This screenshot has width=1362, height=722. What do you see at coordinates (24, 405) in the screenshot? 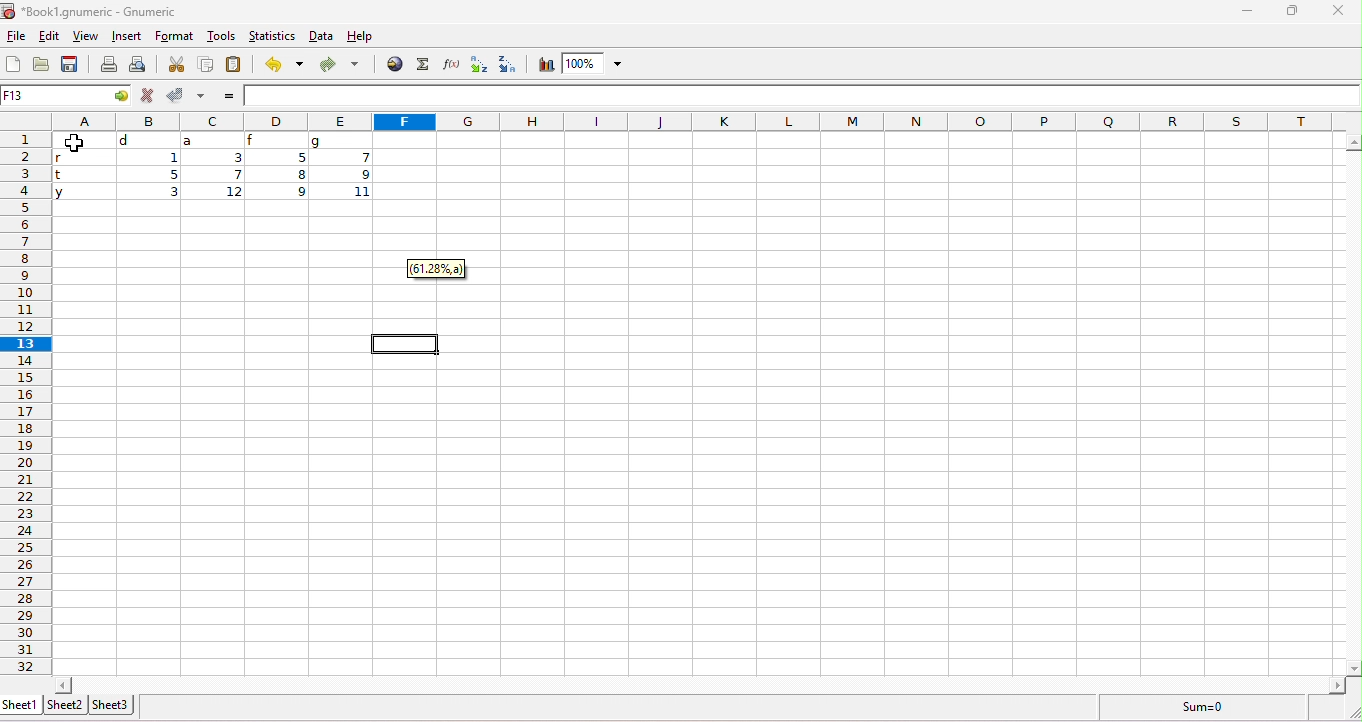
I see `row numbers` at bounding box center [24, 405].